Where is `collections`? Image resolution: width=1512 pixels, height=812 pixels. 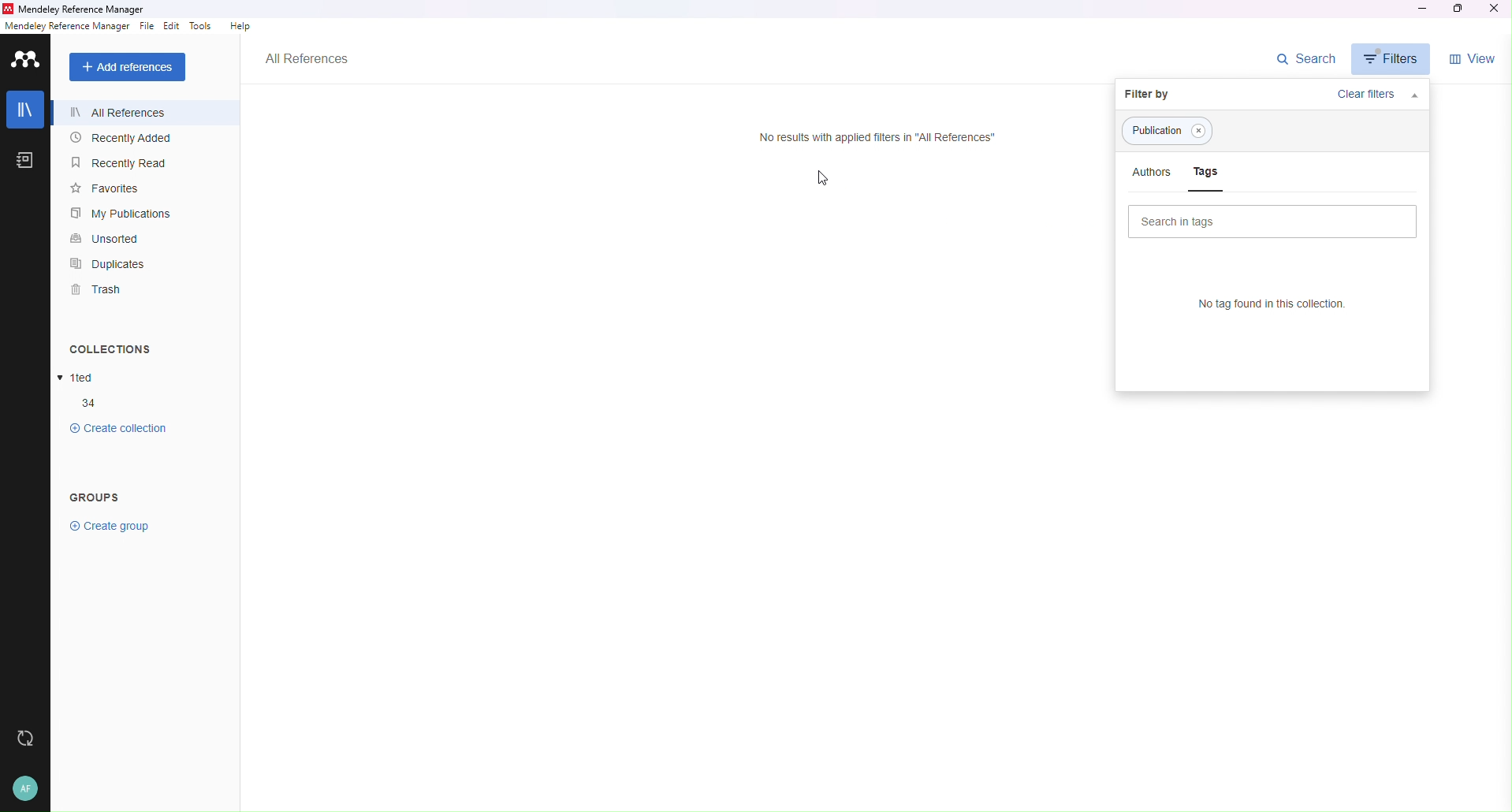
collections is located at coordinates (77, 378).